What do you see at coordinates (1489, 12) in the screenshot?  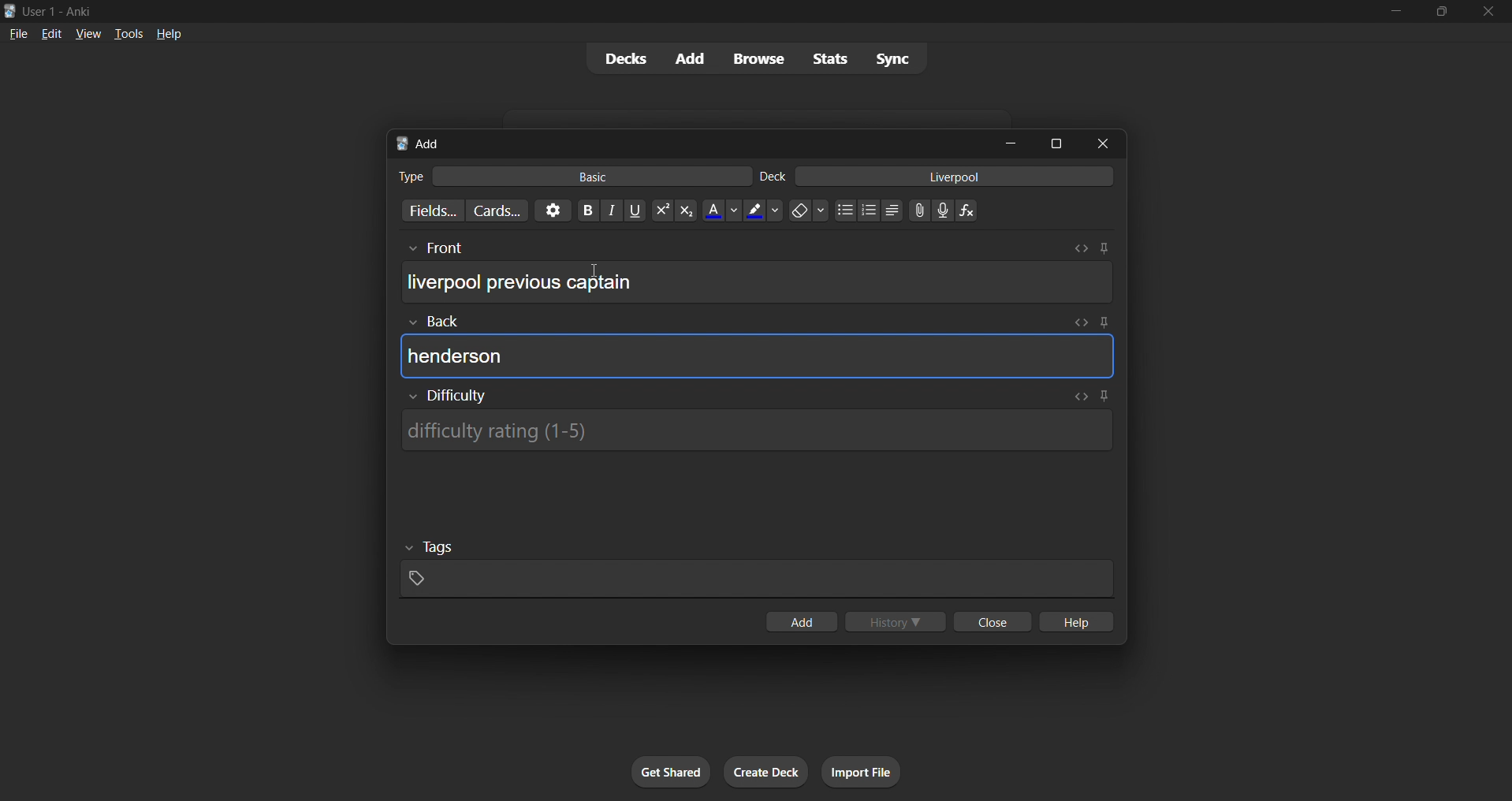 I see `close` at bounding box center [1489, 12].